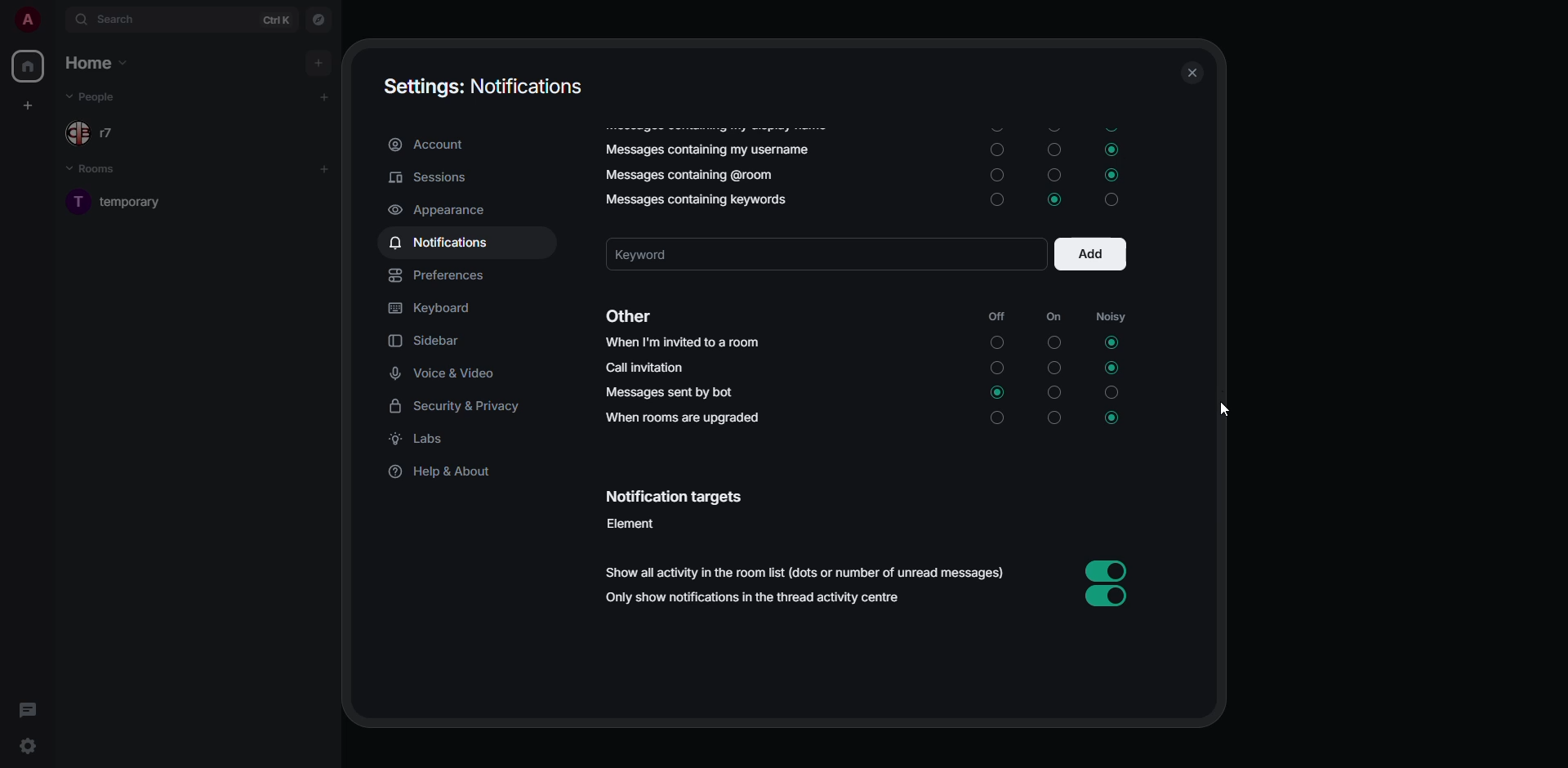 Image resolution: width=1568 pixels, height=768 pixels. Describe the element at coordinates (1113, 200) in the screenshot. I see `noisy` at that location.